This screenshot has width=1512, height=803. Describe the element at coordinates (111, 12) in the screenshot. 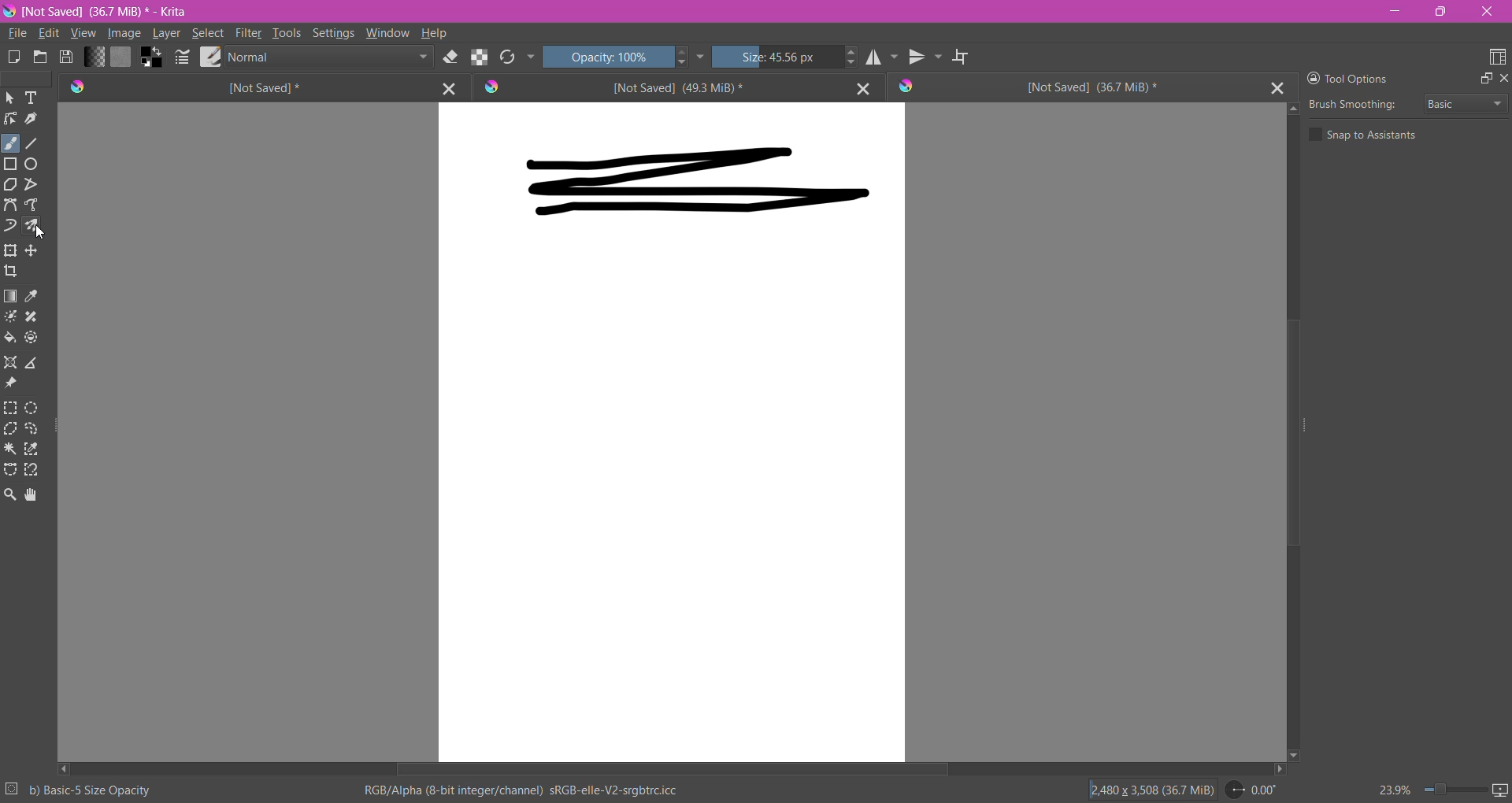

I see `File Name, Size` at that location.